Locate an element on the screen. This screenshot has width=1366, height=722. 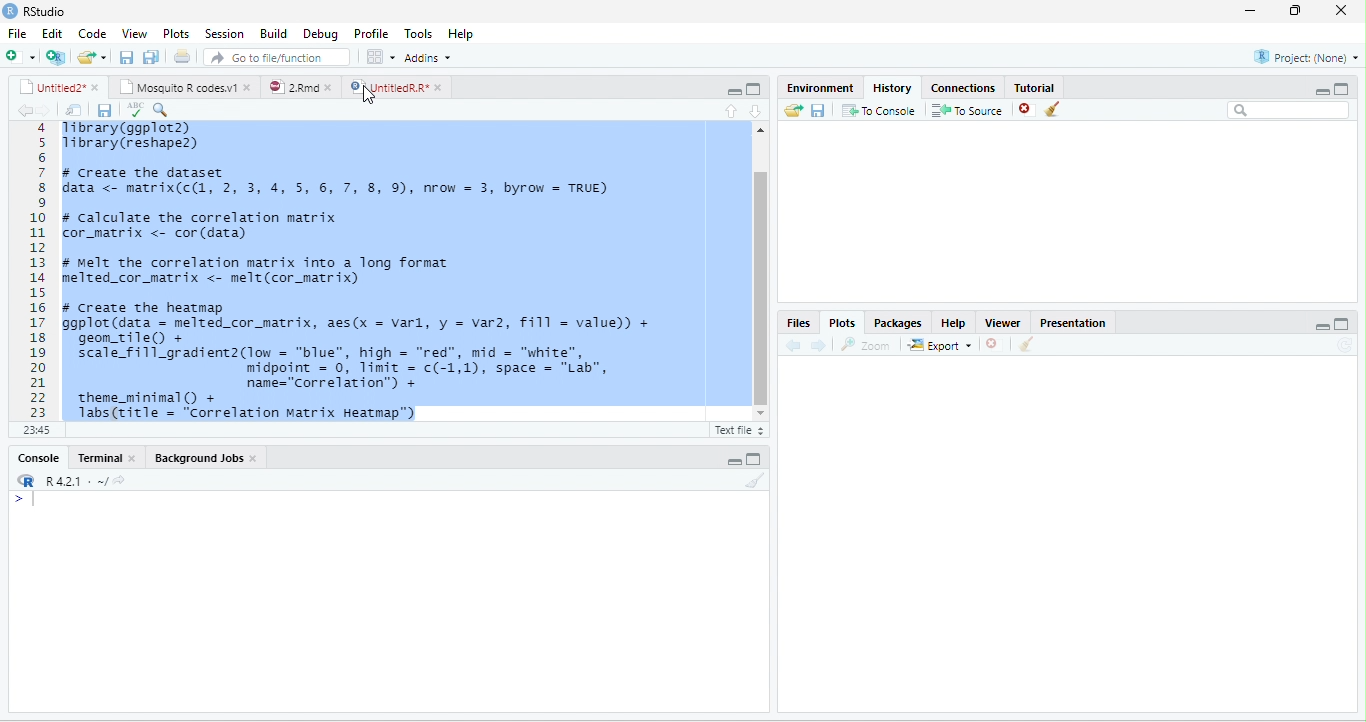
add file is located at coordinates (33, 57).